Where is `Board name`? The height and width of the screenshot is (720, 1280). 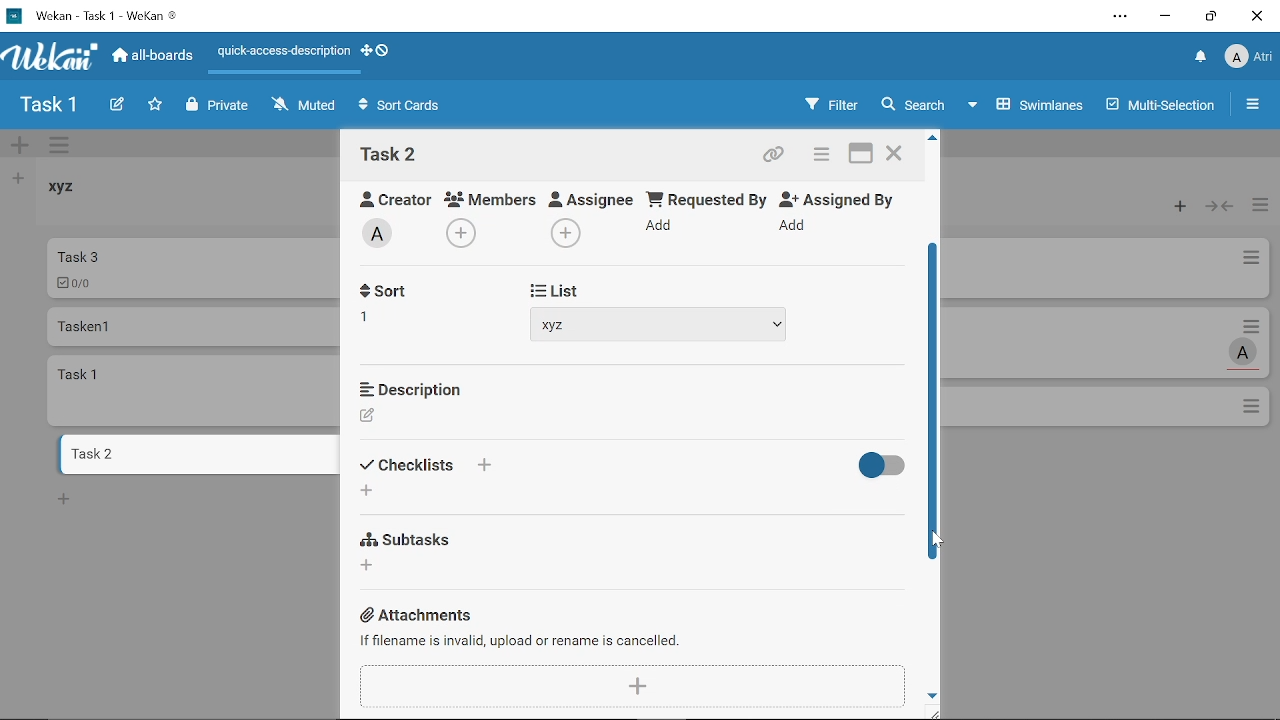 Board name is located at coordinates (48, 105).